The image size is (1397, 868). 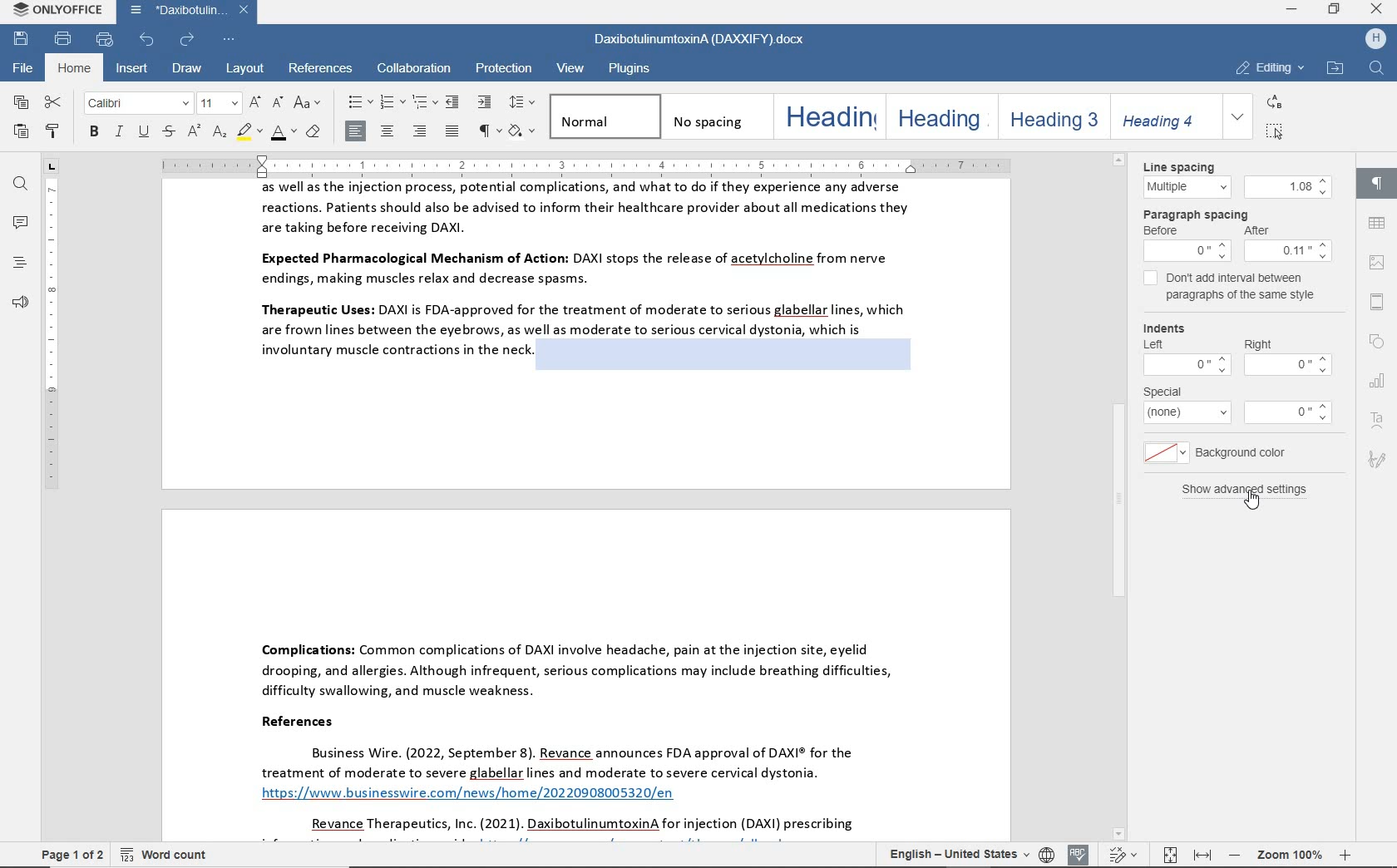 I want to click on subscript, so click(x=220, y=134).